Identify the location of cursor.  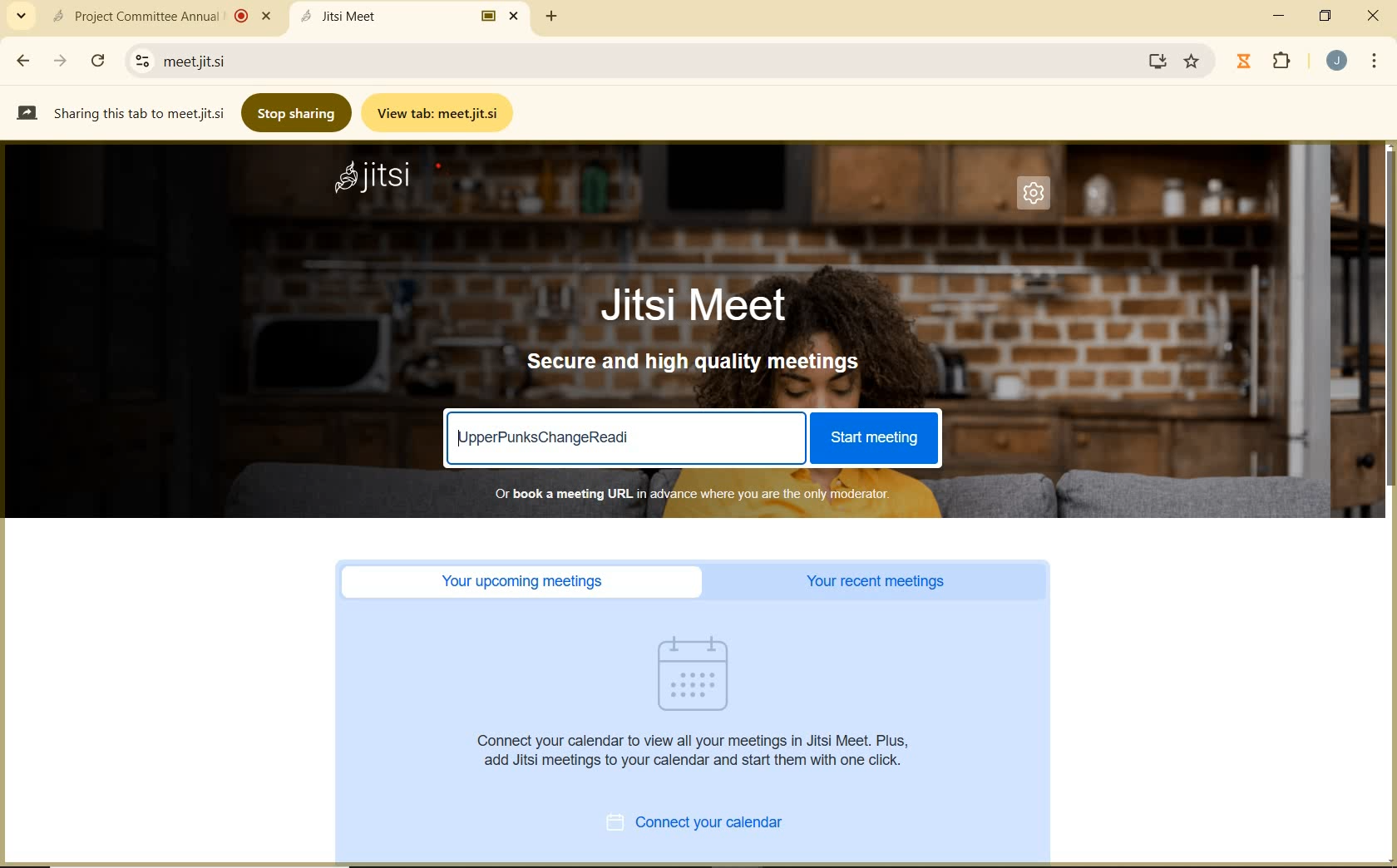
(866, 645).